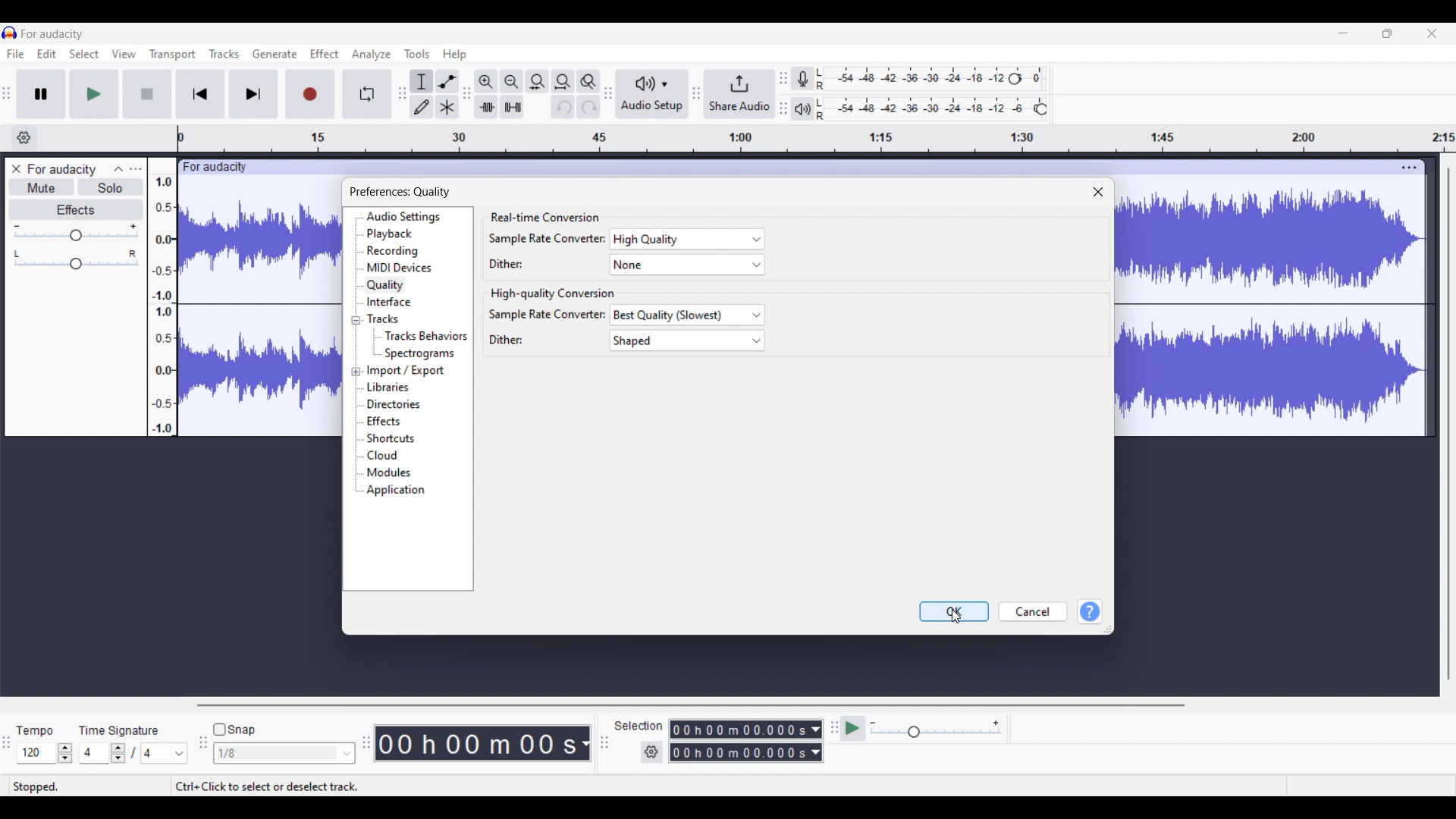 Image resolution: width=1456 pixels, height=819 pixels. Describe the element at coordinates (124, 54) in the screenshot. I see `View menu` at that location.